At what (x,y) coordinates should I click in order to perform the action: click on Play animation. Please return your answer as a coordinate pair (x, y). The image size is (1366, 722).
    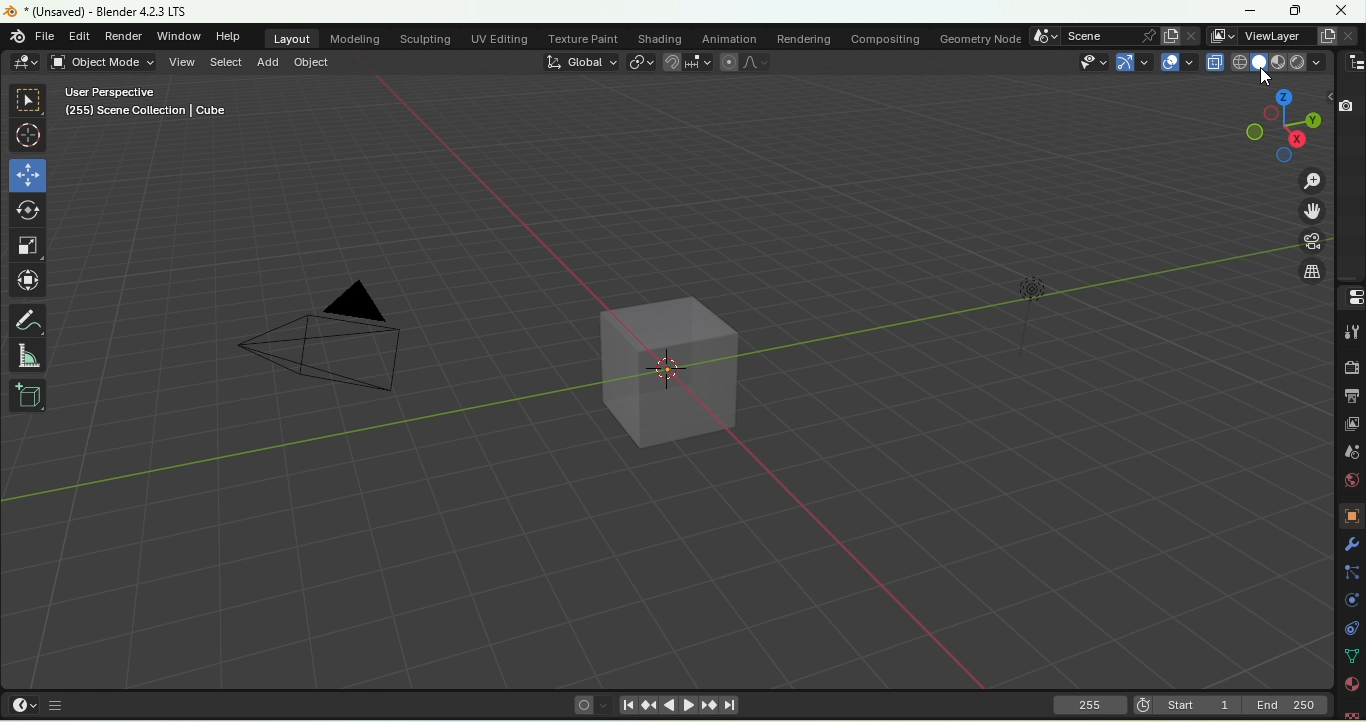
    Looking at the image, I should click on (686, 705).